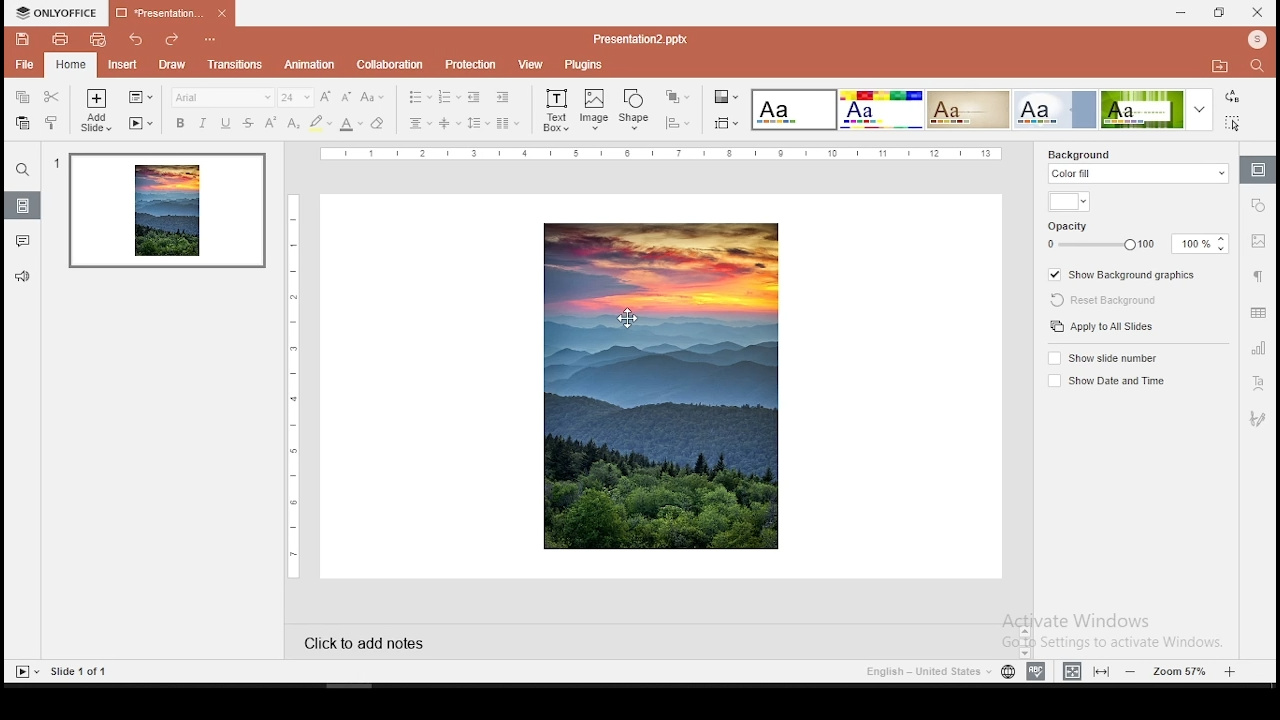  Describe the element at coordinates (968, 110) in the screenshot. I see `theme ` at that location.